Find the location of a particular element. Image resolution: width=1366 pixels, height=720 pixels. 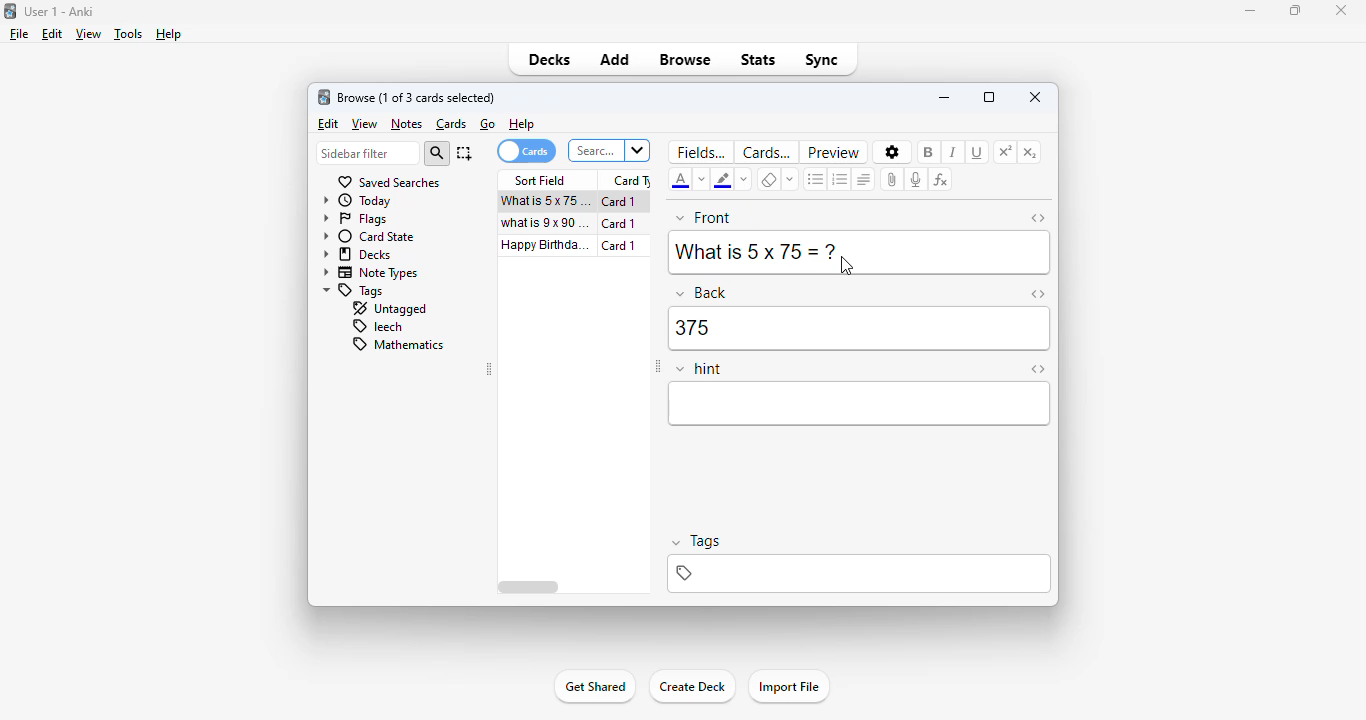

toggle sidebar is located at coordinates (657, 367).